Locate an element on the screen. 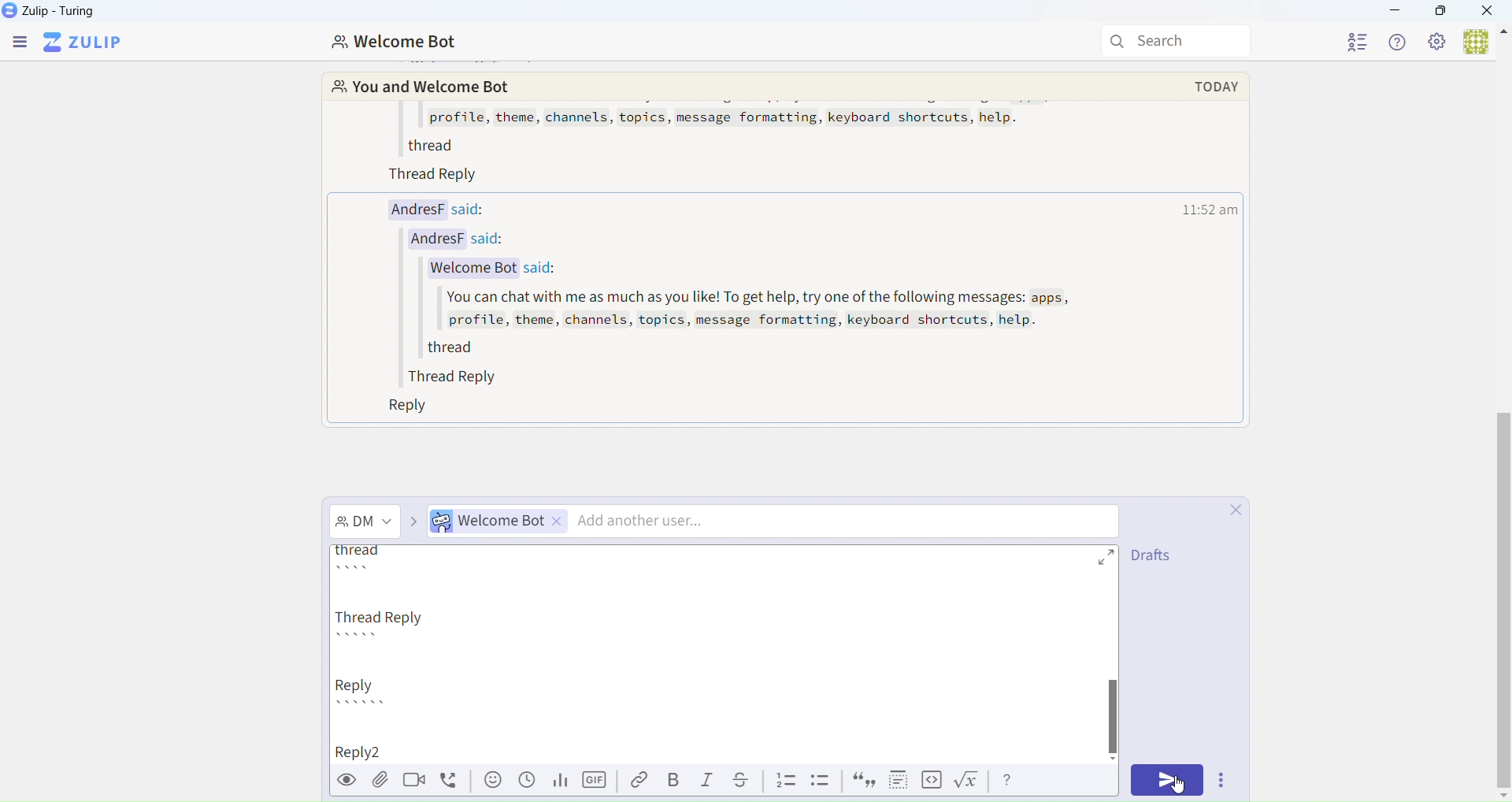 This screenshot has height=802, width=1512. Reply is located at coordinates (361, 691).